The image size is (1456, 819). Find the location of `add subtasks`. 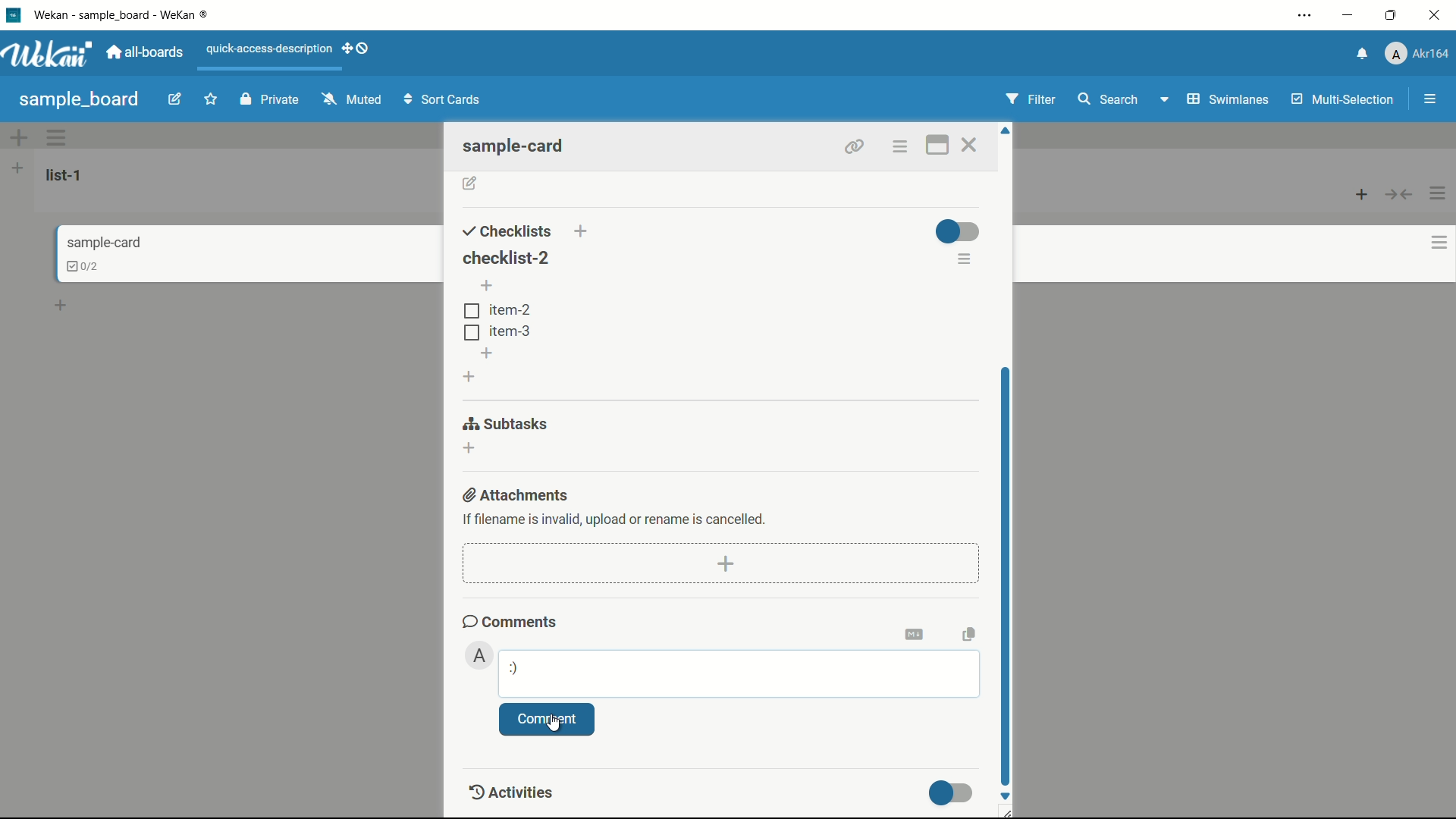

add subtasks is located at coordinates (470, 448).